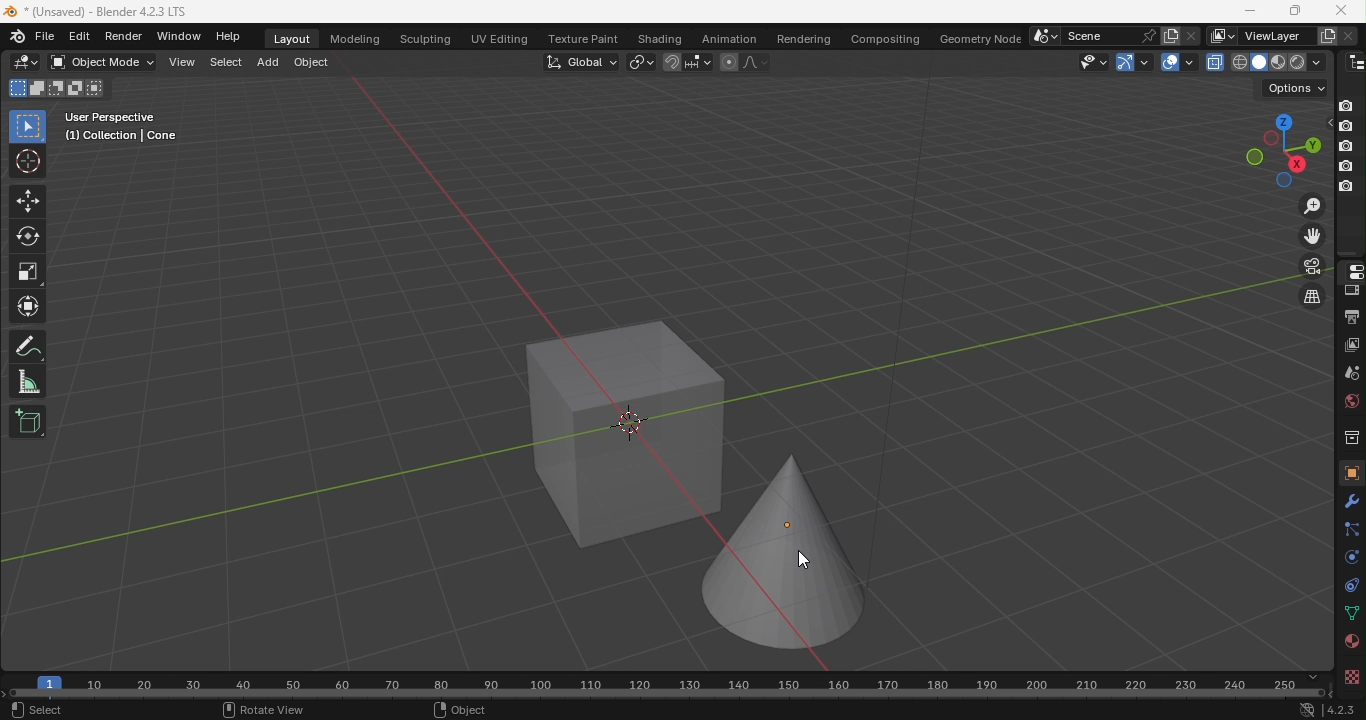 This screenshot has height=720, width=1366. Describe the element at coordinates (1095, 61) in the screenshot. I see `Selectability and visibility` at that location.